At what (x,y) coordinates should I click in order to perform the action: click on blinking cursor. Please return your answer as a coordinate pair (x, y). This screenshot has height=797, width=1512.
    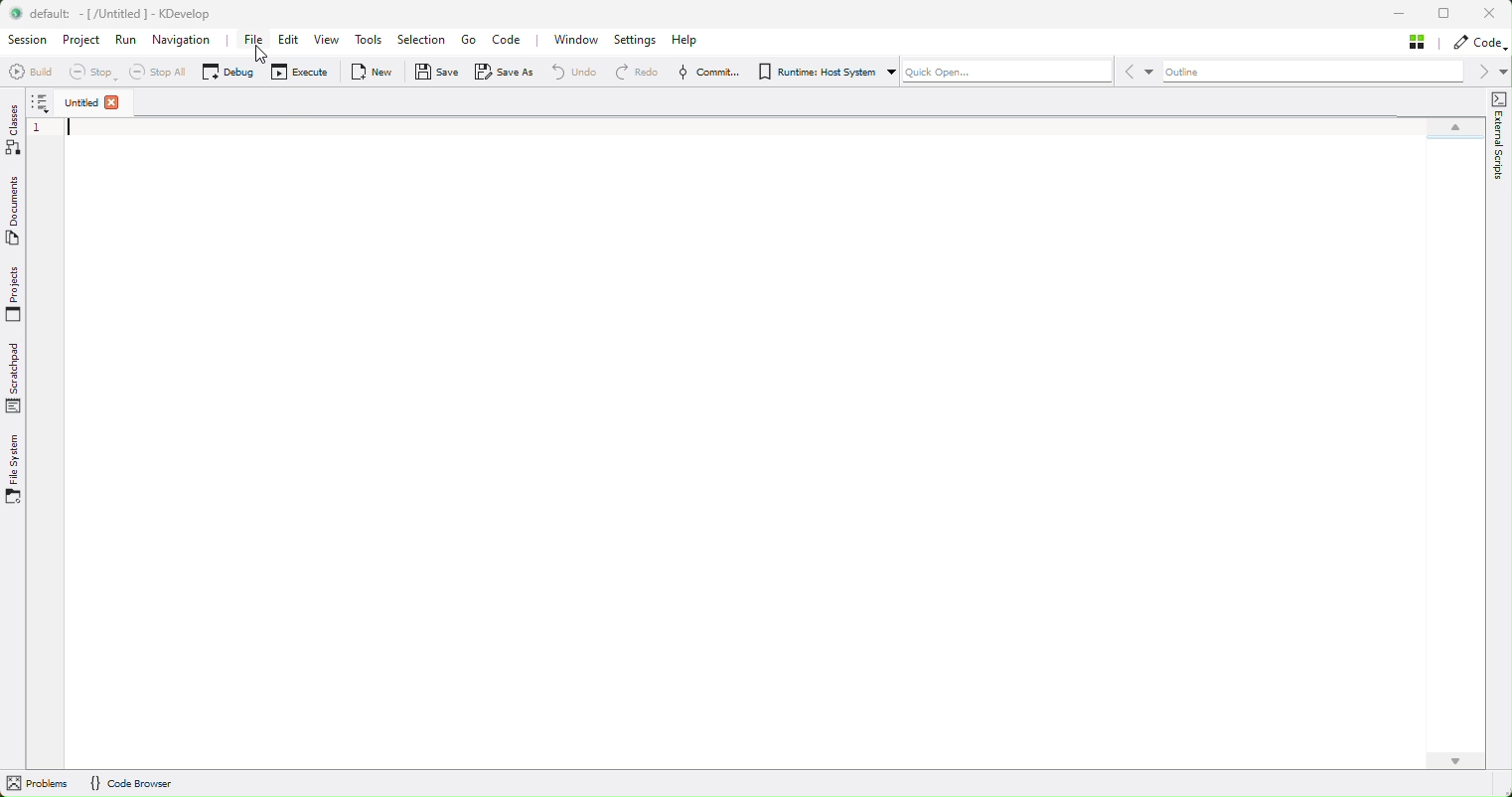
    Looking at the image, I should click on (73, 127).